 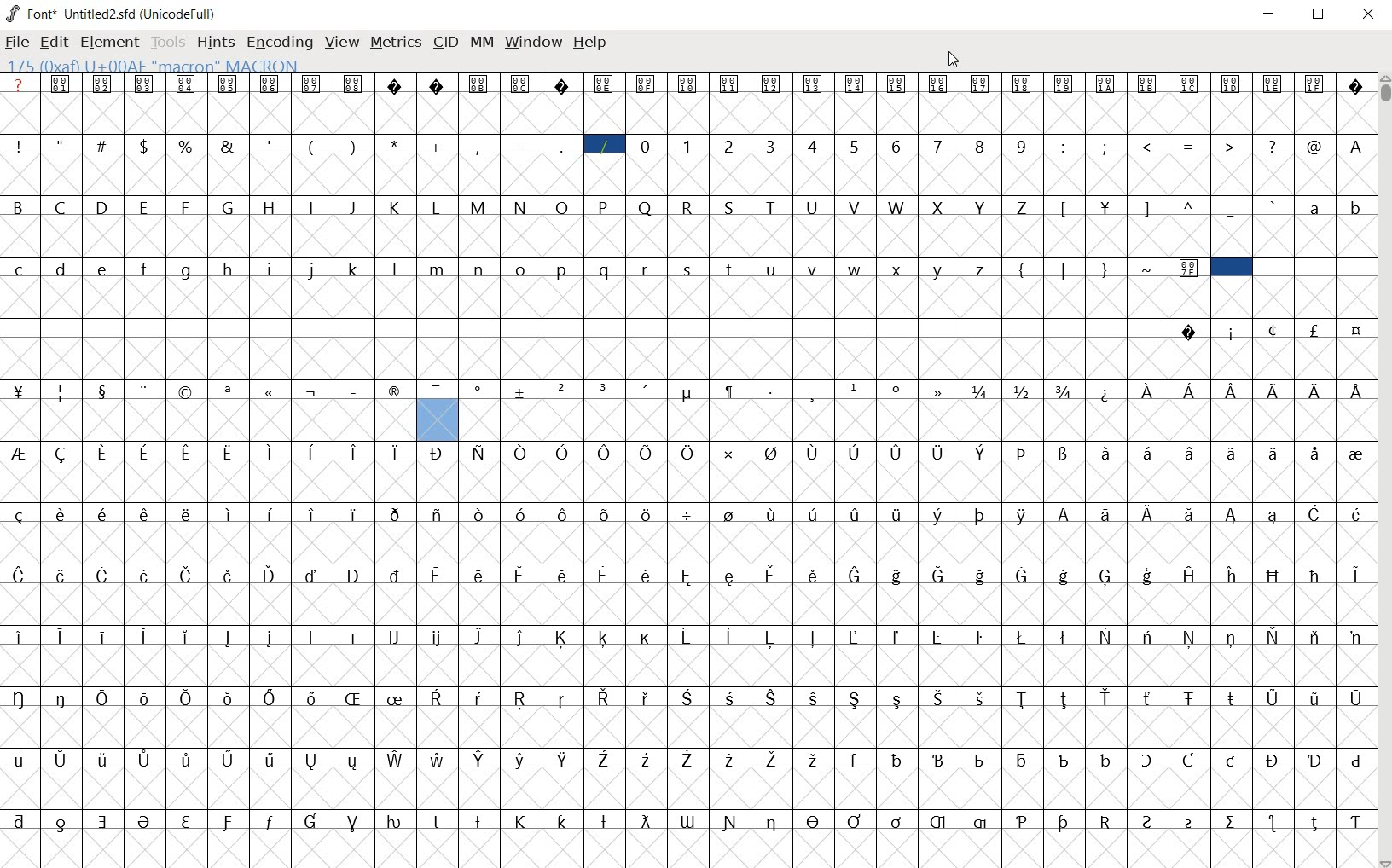 I want to click on Symbol, so click(x=1187, y=574).